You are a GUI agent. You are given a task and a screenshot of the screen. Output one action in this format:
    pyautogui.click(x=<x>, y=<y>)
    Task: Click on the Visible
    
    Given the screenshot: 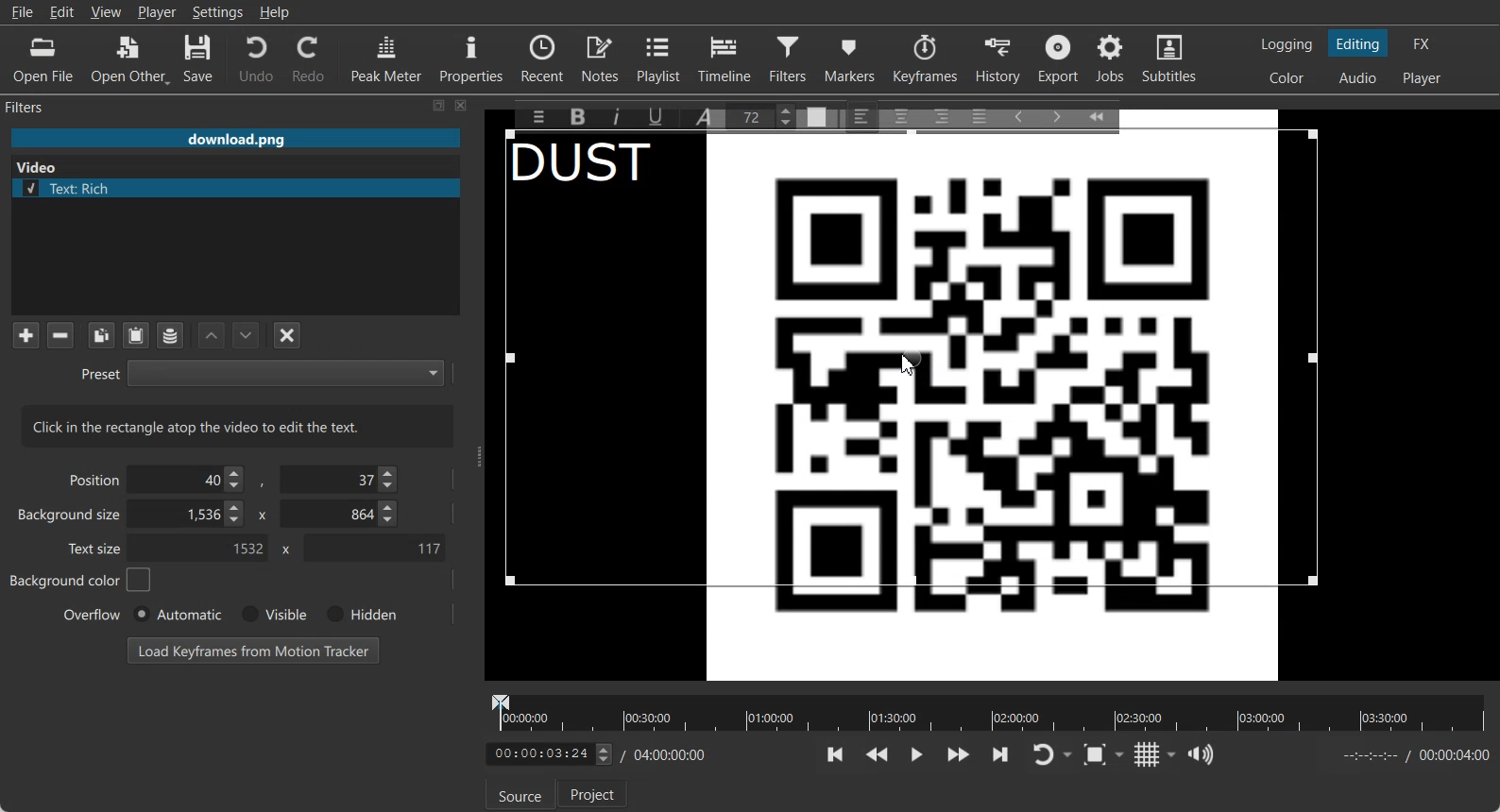 What is the action you would take?
    pyautogui.click(x=272, y=615)
    